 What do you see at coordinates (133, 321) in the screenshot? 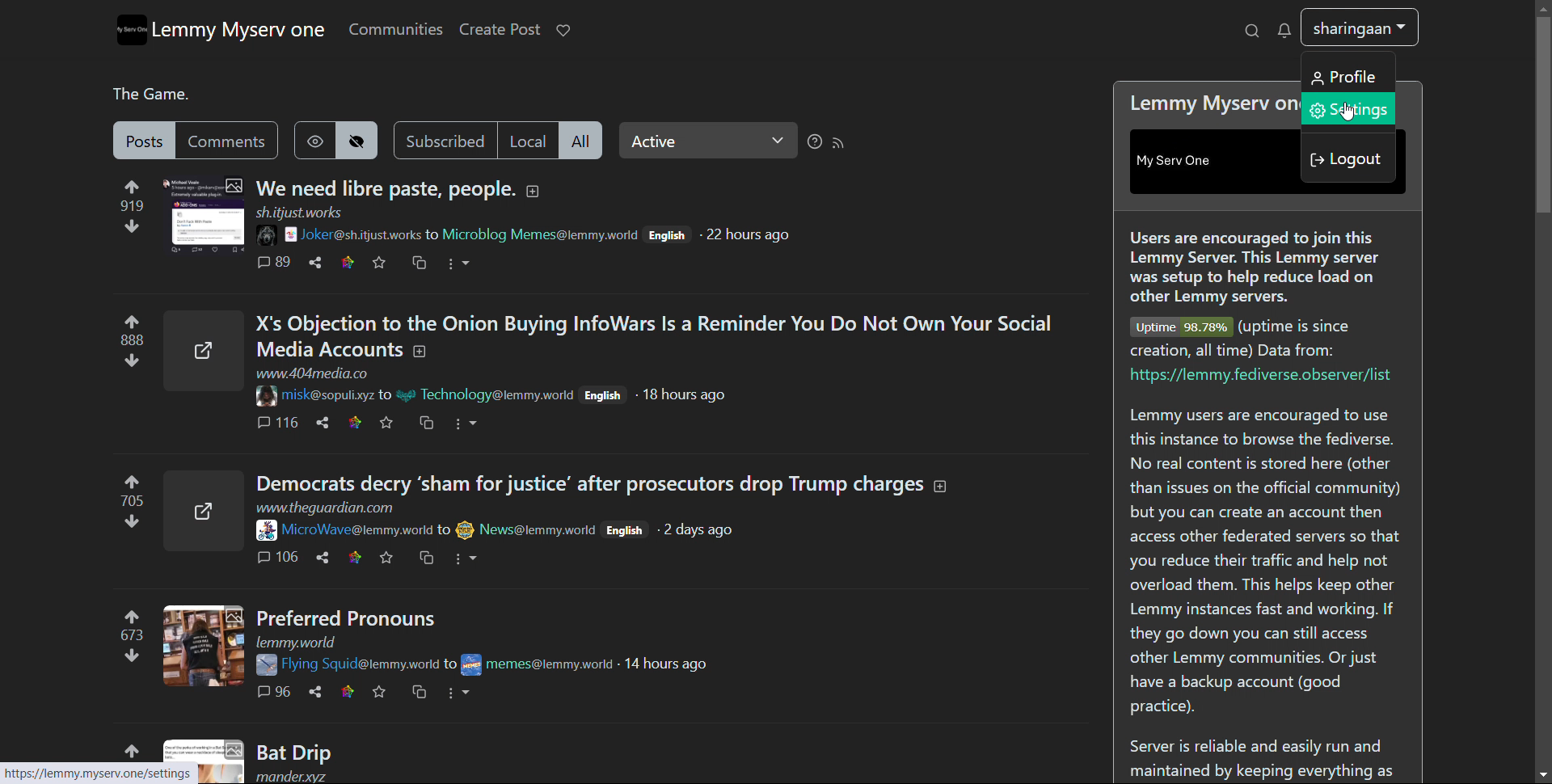
I see `upvotes` at bounding box center [133, 321].